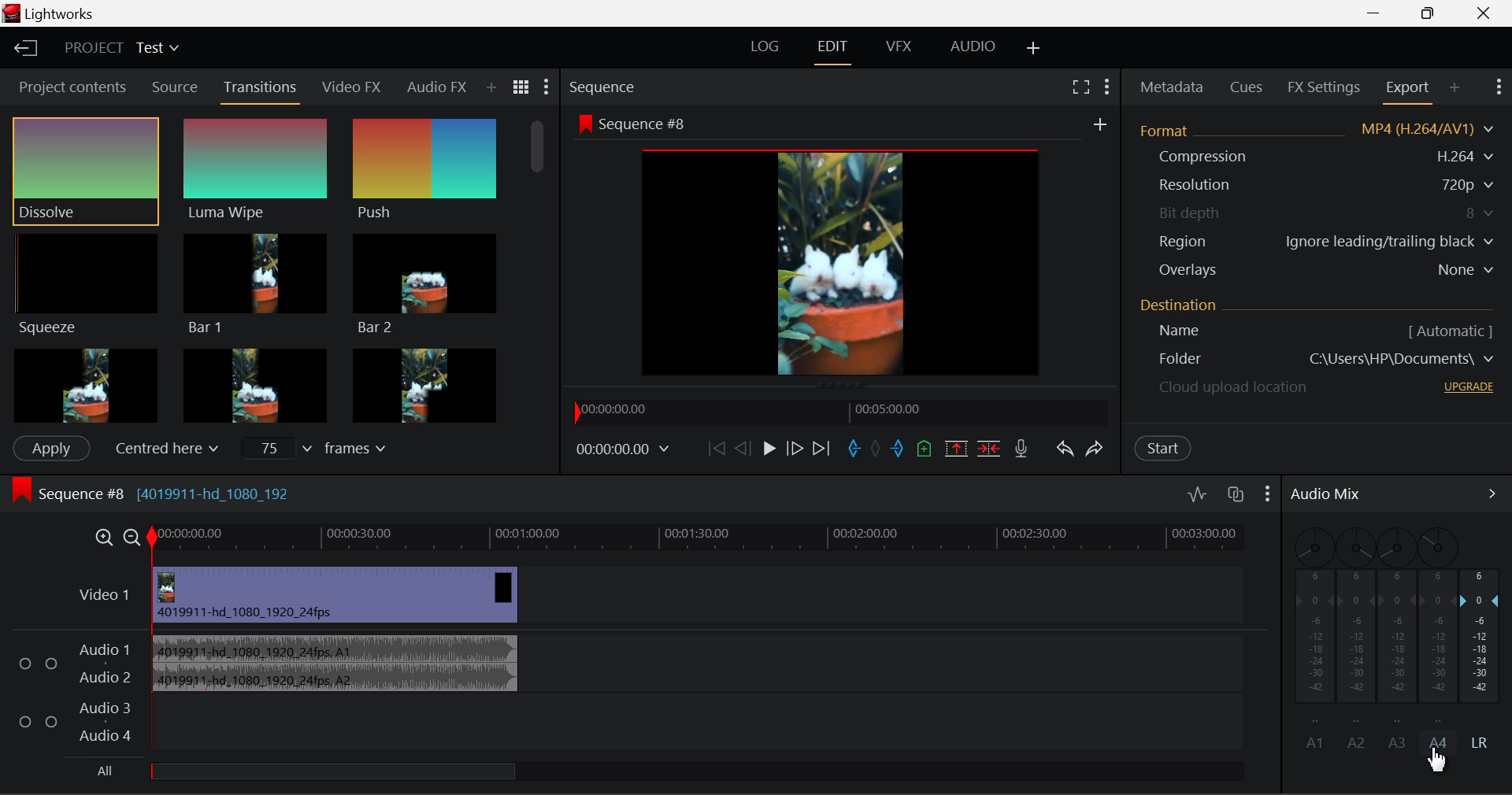  Describe the element at coordinates (1021, 448) in the screenshot. I see `Record Voiceover` at that location.